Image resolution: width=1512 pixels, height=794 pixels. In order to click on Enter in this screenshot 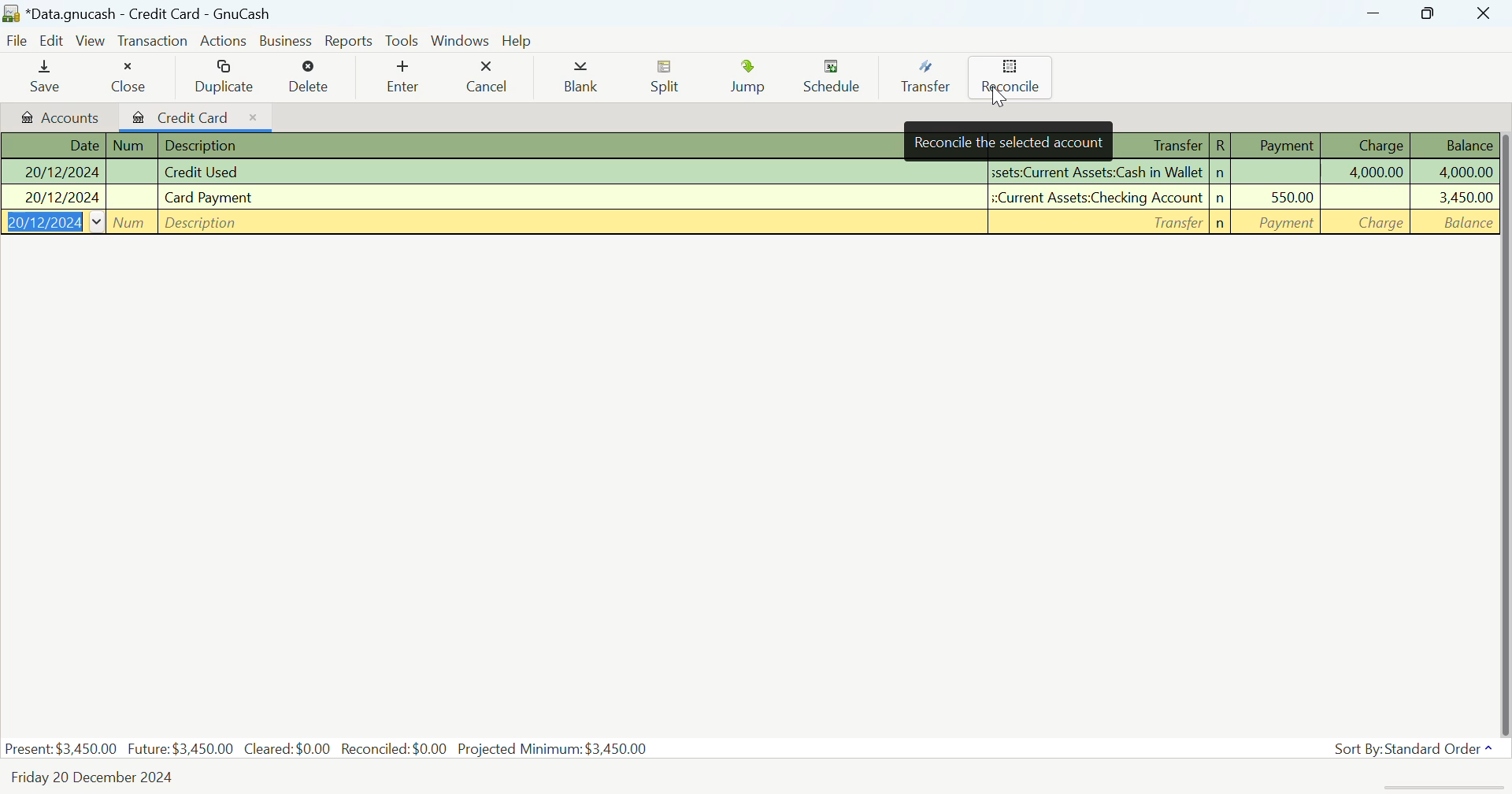, I will do `click(400, 78)`.